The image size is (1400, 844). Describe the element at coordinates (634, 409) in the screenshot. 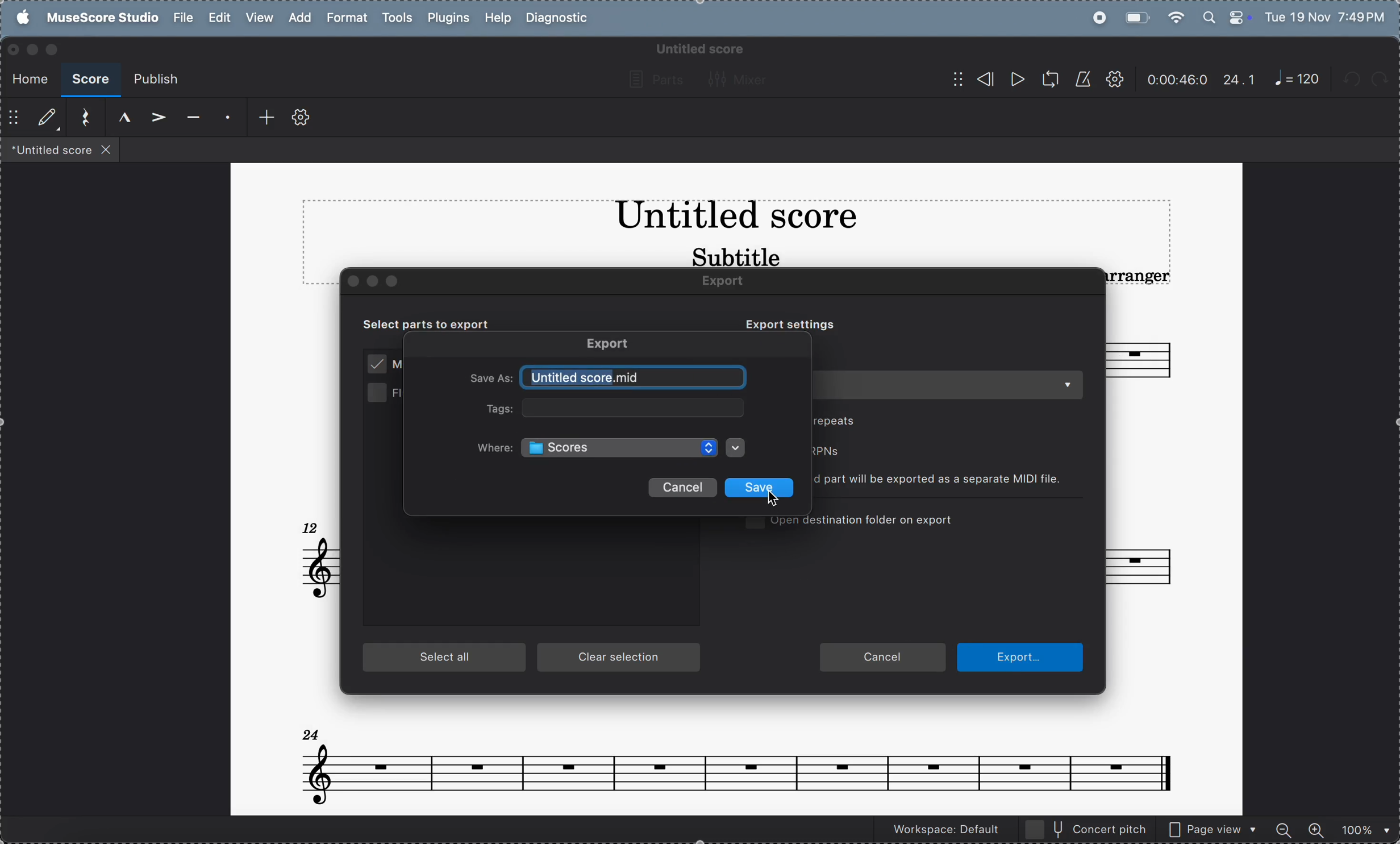

I see `text box` at that location.